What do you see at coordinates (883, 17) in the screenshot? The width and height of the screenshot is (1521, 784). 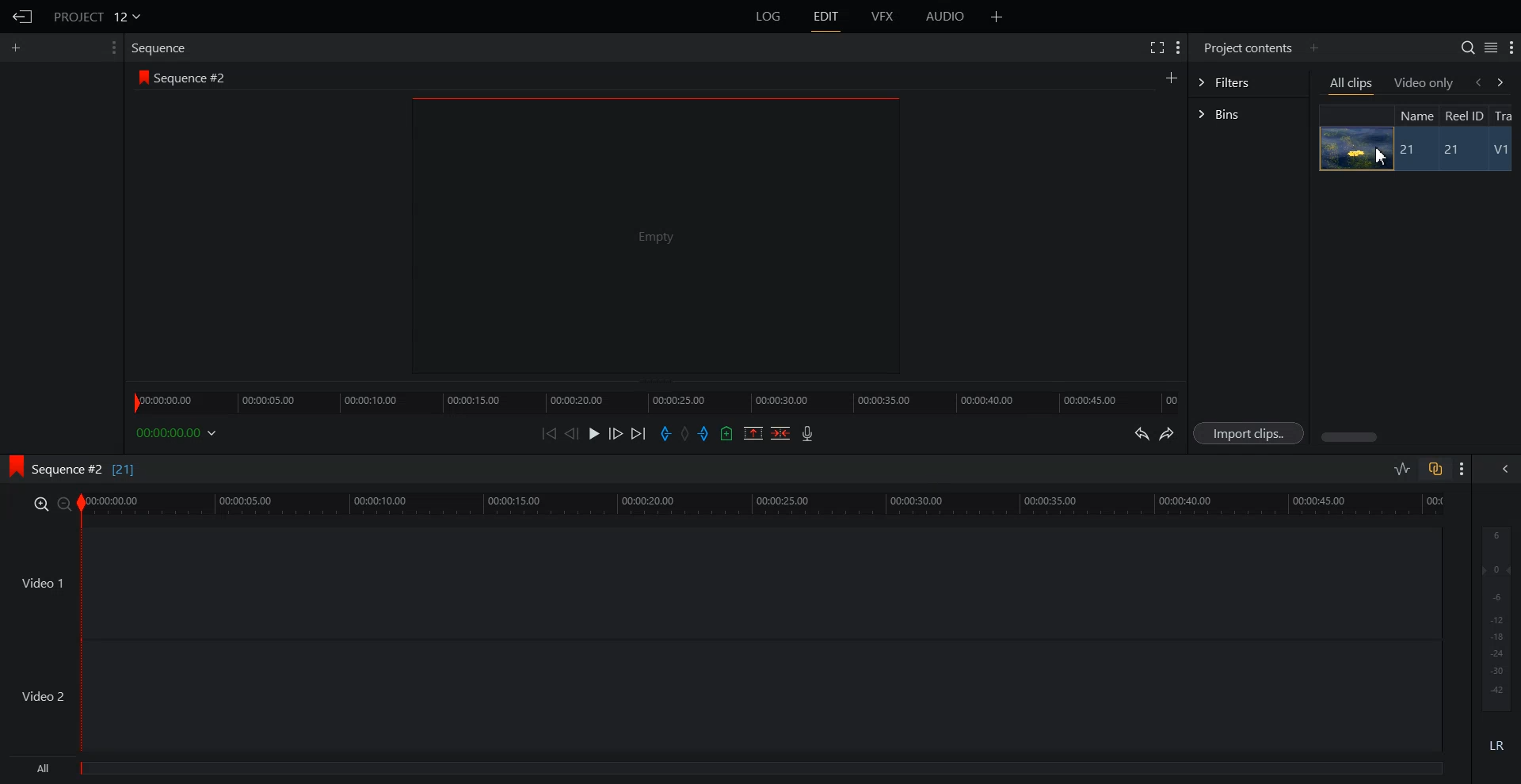 I see `VFX` at bounding box center [883, 17].